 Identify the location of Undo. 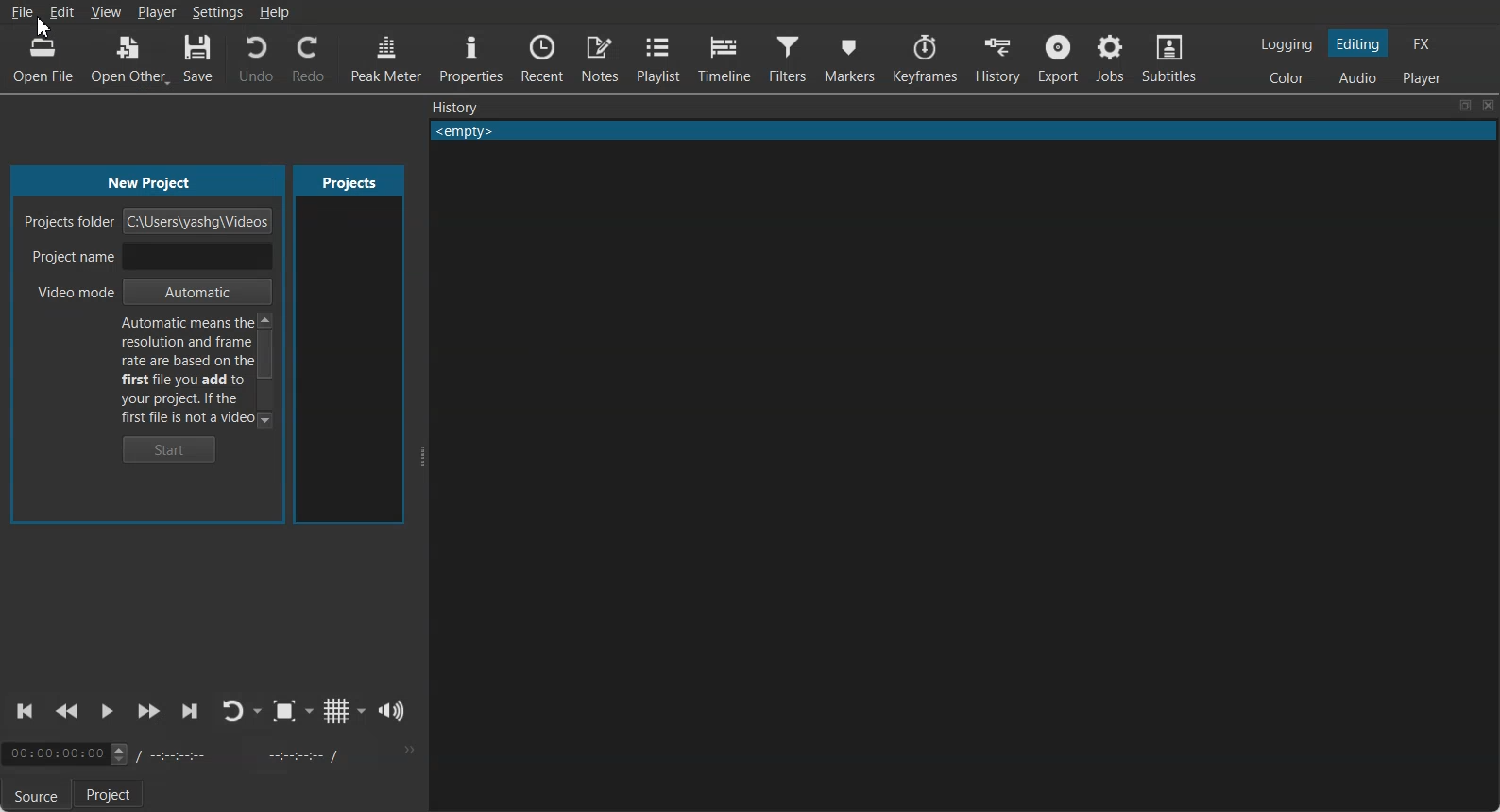
(256, 59).